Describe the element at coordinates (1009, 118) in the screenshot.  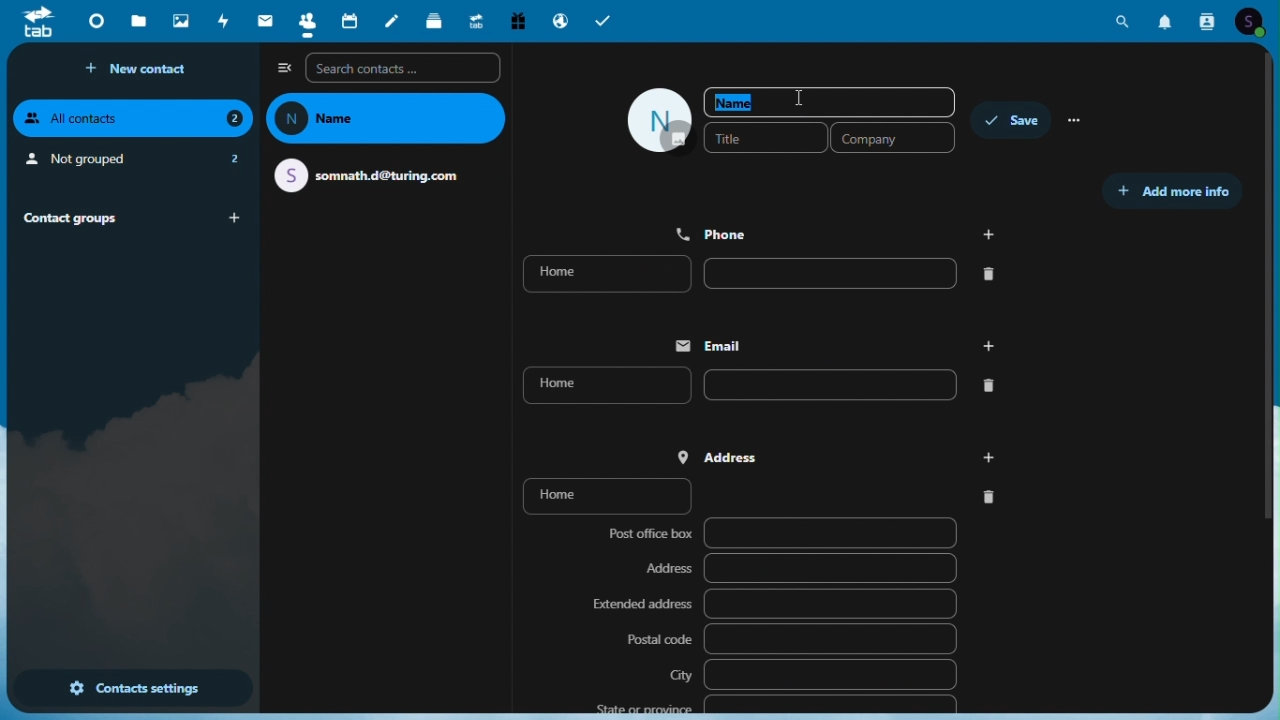
I see `save` at that location.